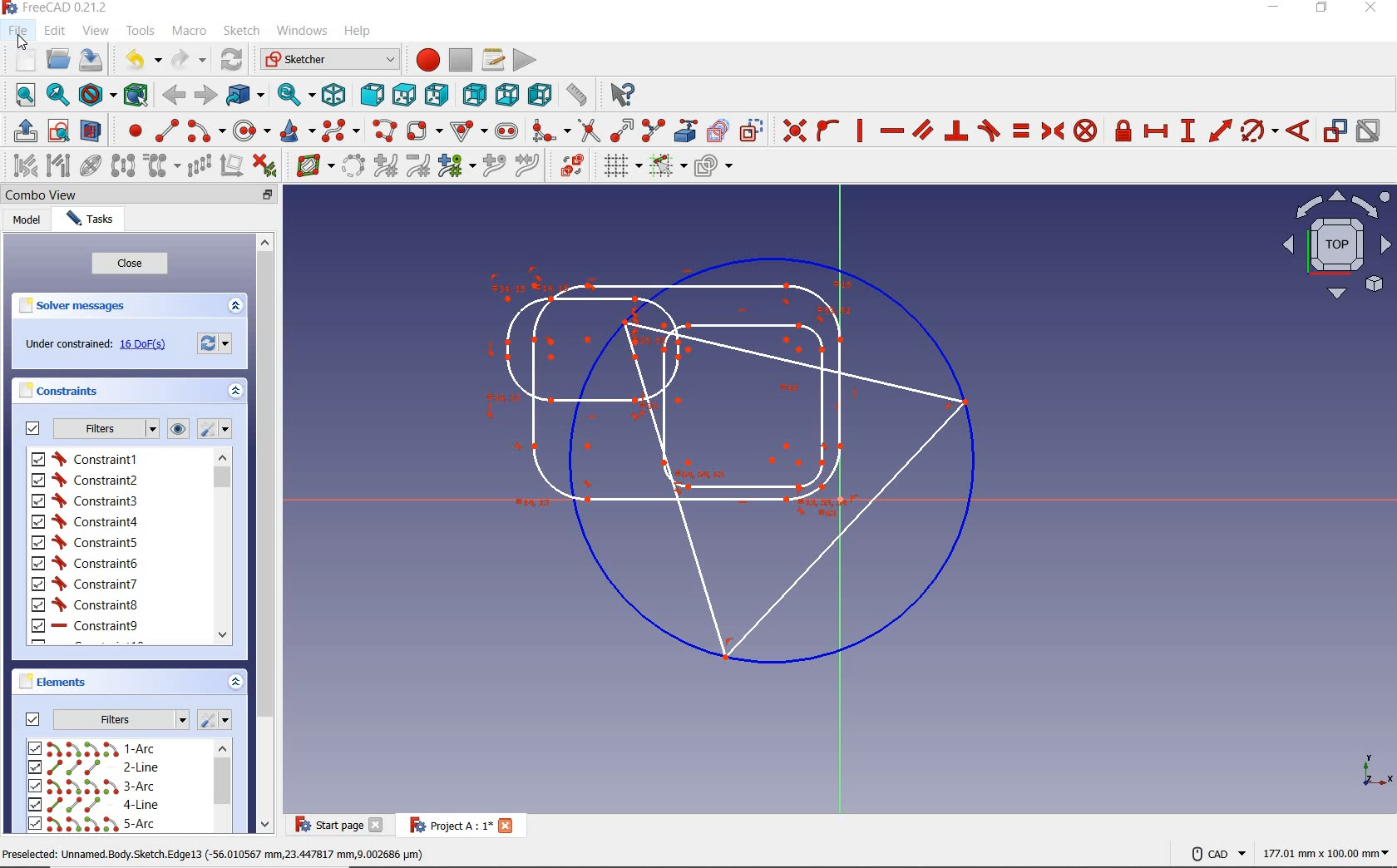 This screenshot has height=868, width=1397. I want to click on forward, so click(205, 94).